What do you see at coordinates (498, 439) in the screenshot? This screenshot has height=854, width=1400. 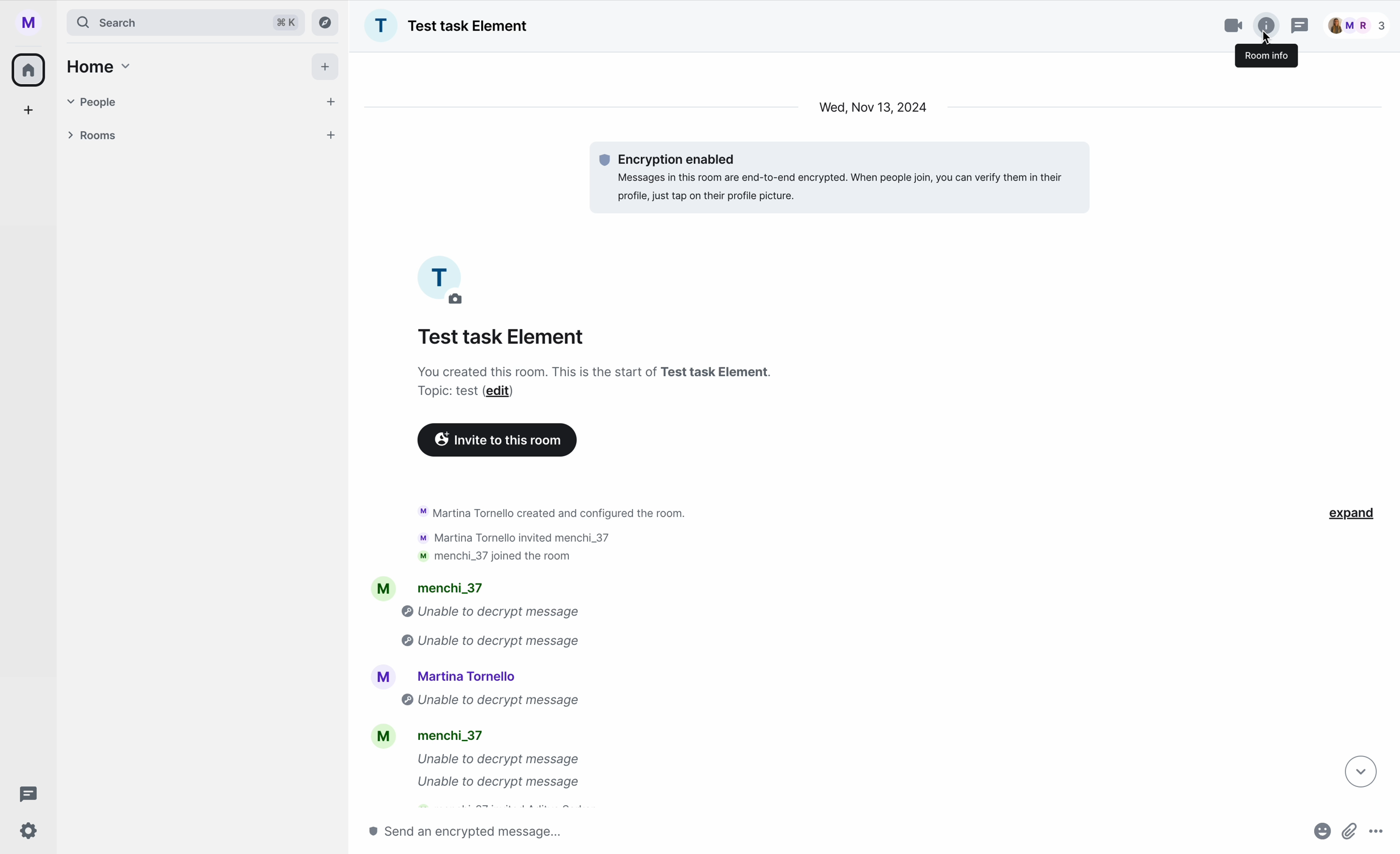 I see `invite to this room button` at bounding box center [498, 439].